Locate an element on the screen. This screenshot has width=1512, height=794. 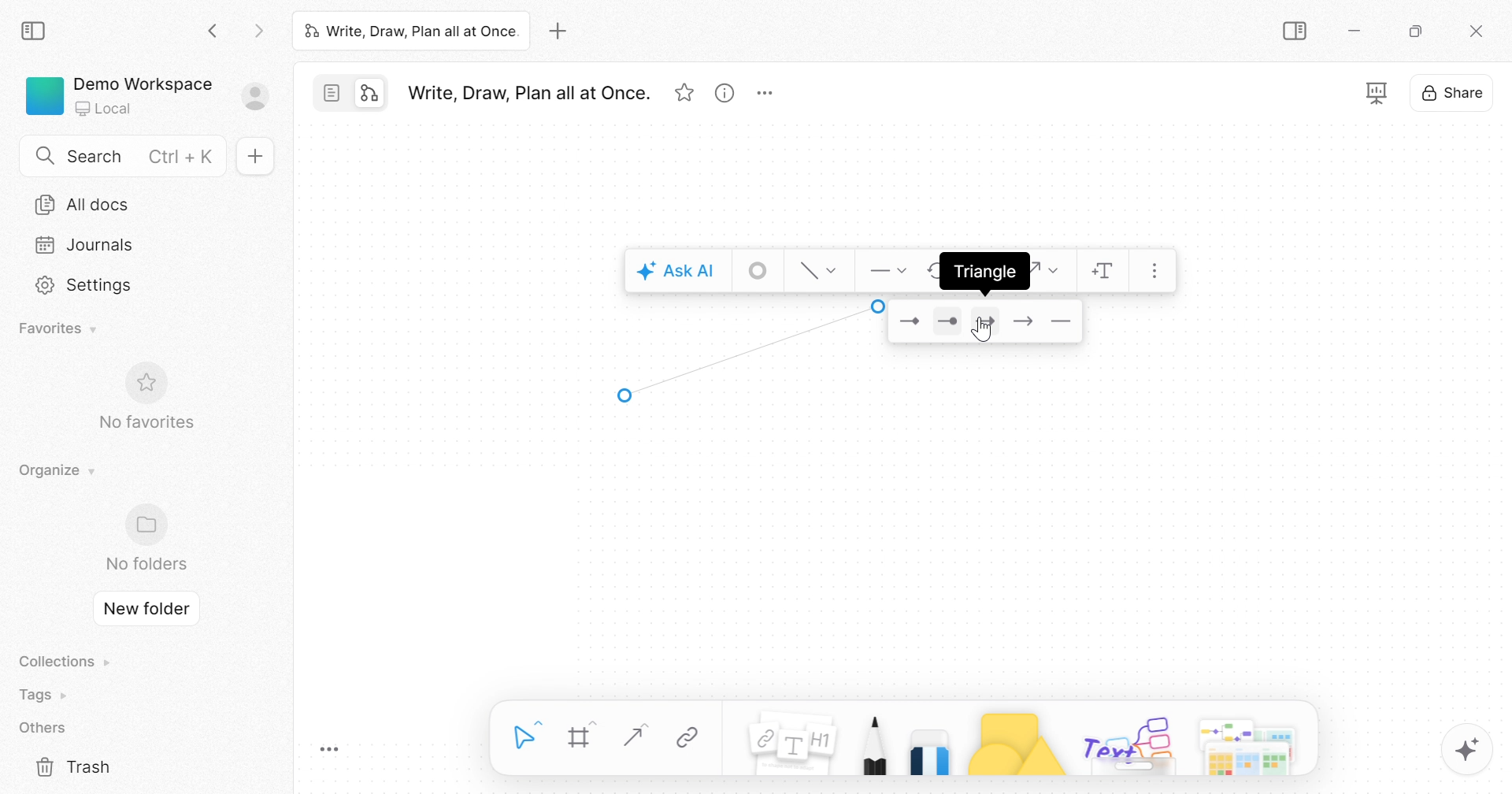
No folders is located at coordinates (146, 563).